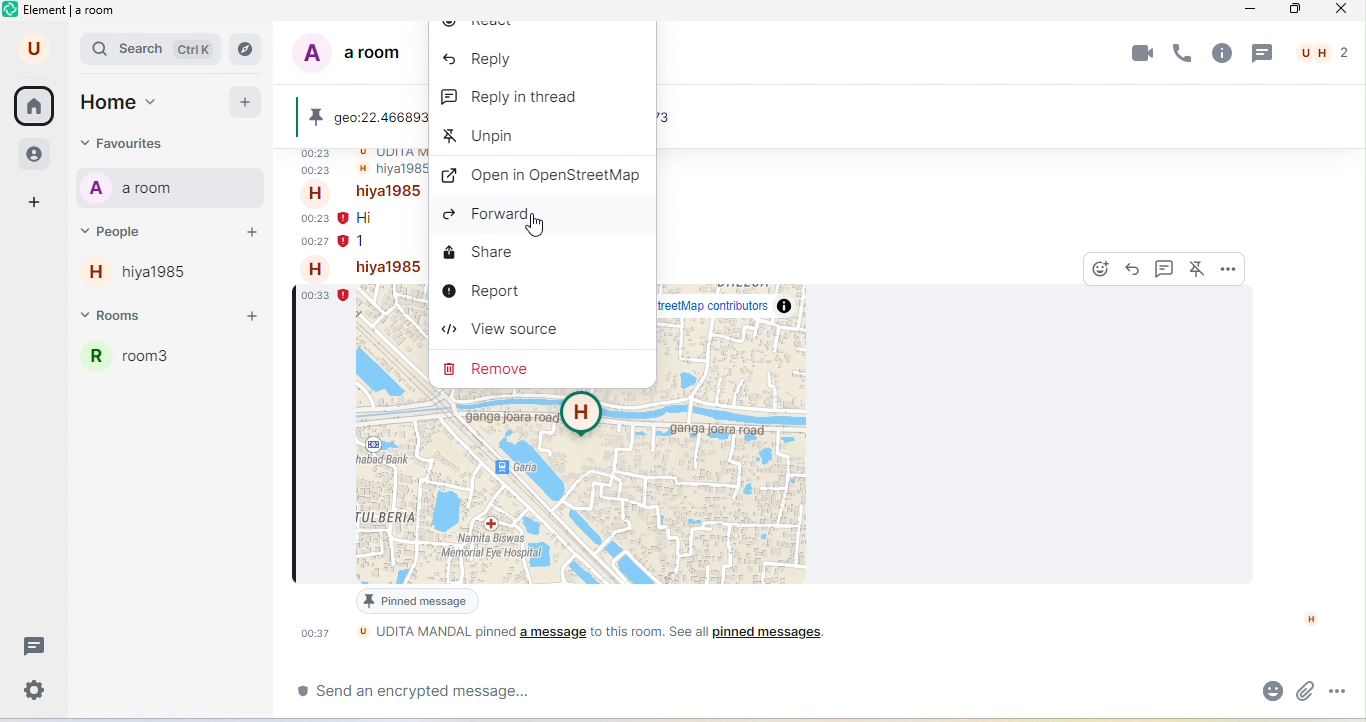 The height and width of the screenshot is (722, 1366). I want to click on people, so click(32, 155).